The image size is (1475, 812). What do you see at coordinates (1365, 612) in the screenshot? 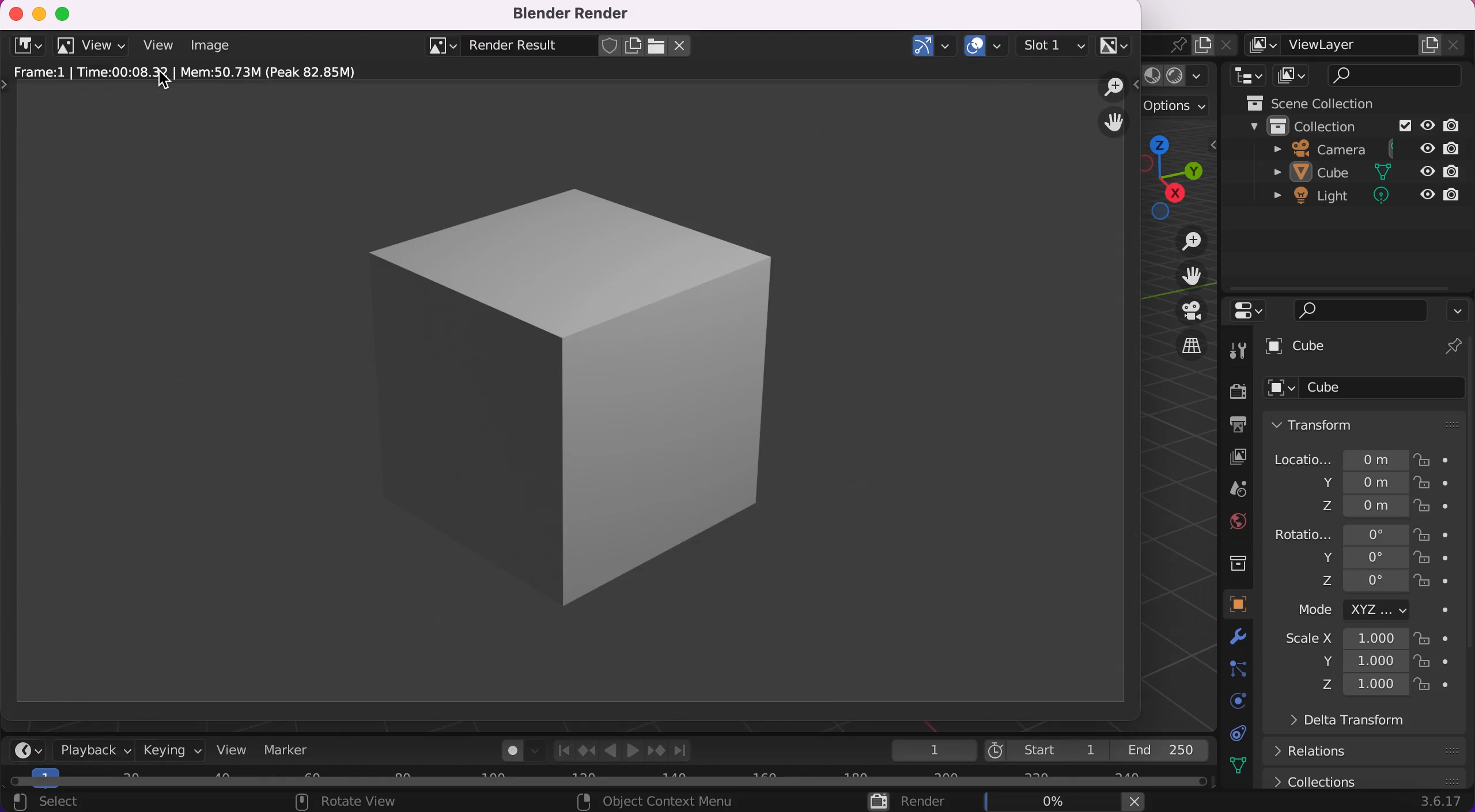
I see `mode xyz...` at bounding box center [1365, 612].